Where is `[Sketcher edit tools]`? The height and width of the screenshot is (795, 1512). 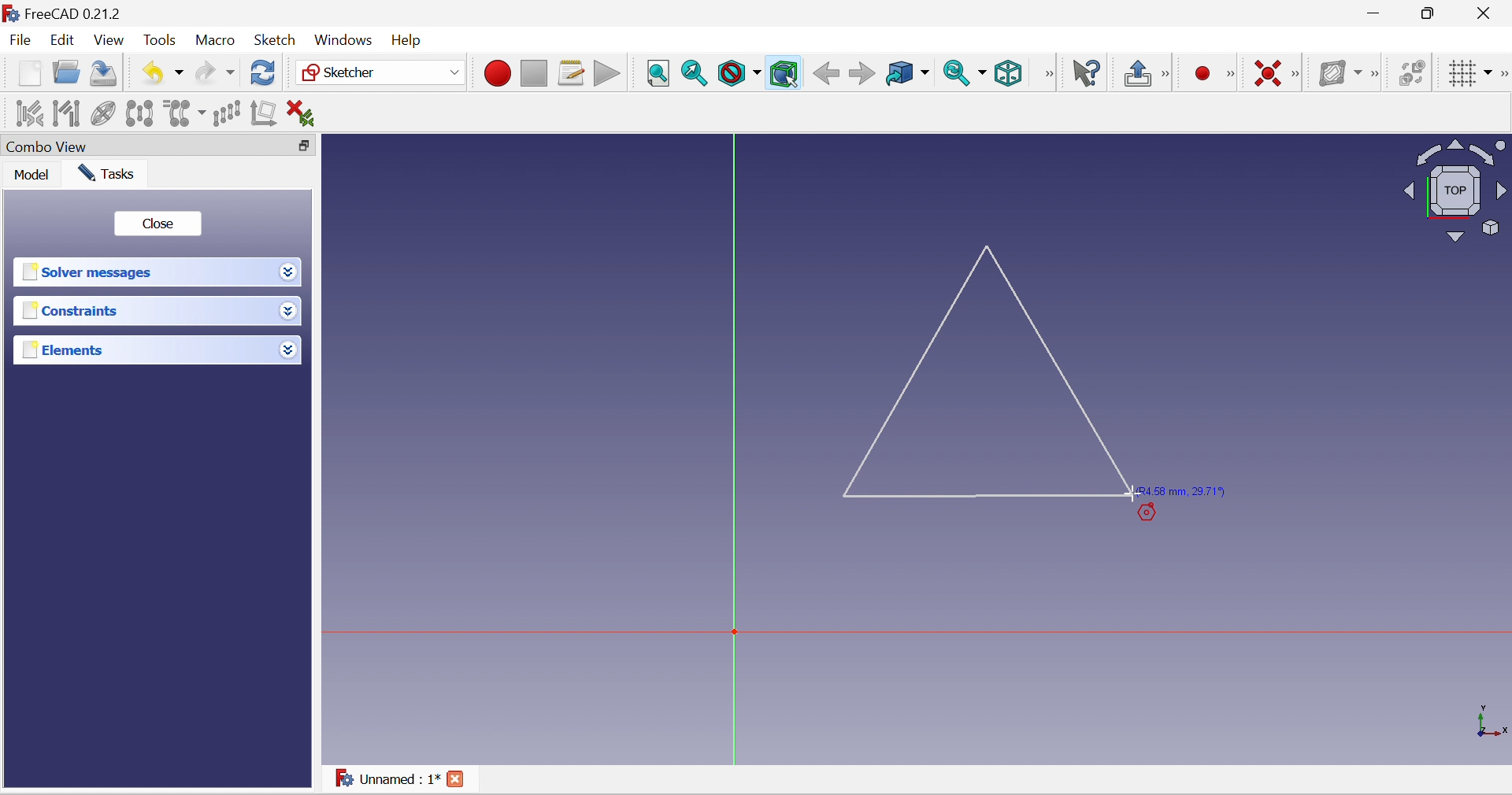 [Sketcher edit tools] is located at coordinates (1503, 75).